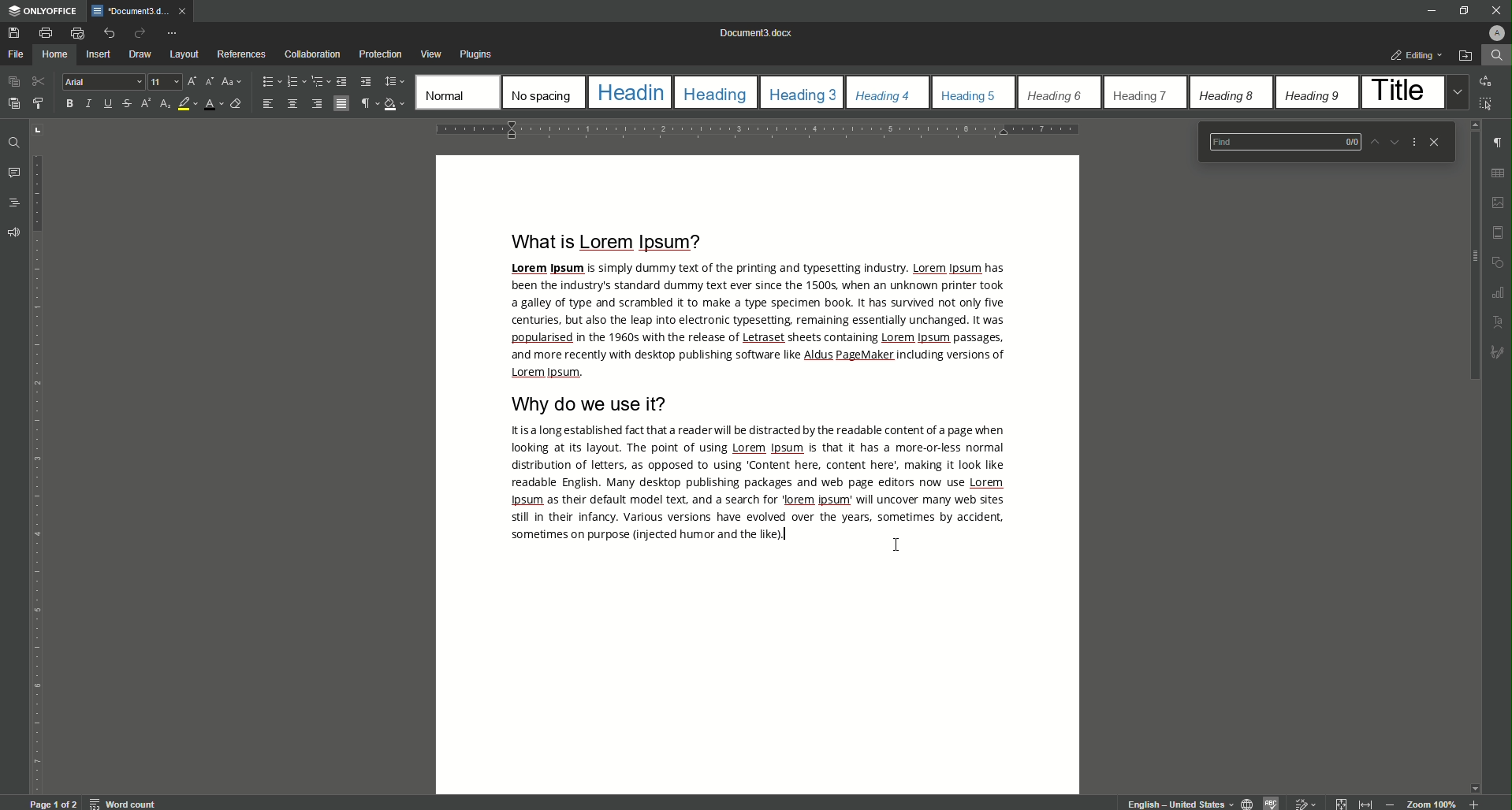 Image resolution: width=1512 pixels, height=810 pixels. I want to click on Title, so click(1398, 89).